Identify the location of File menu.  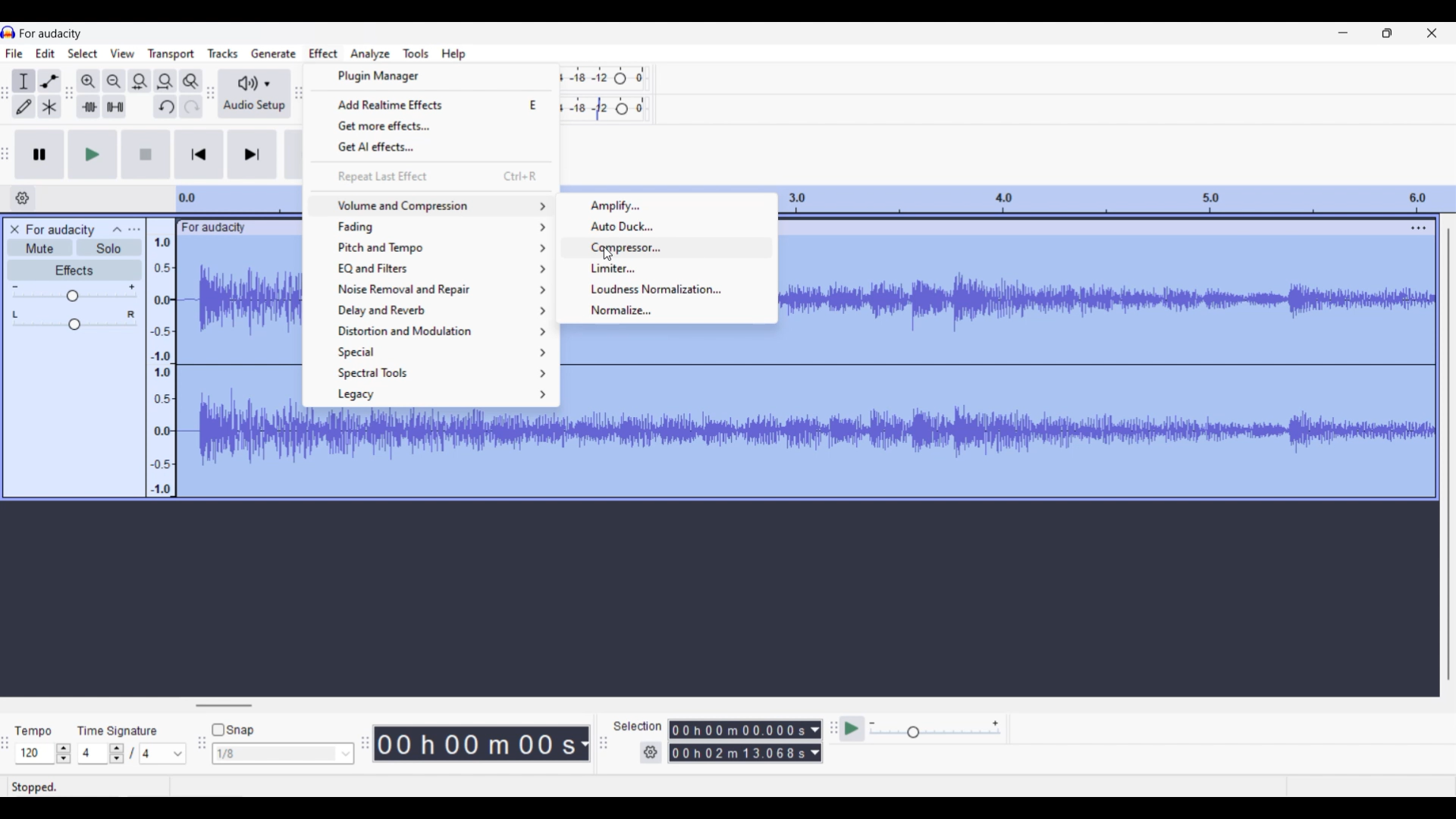
(14, 53).